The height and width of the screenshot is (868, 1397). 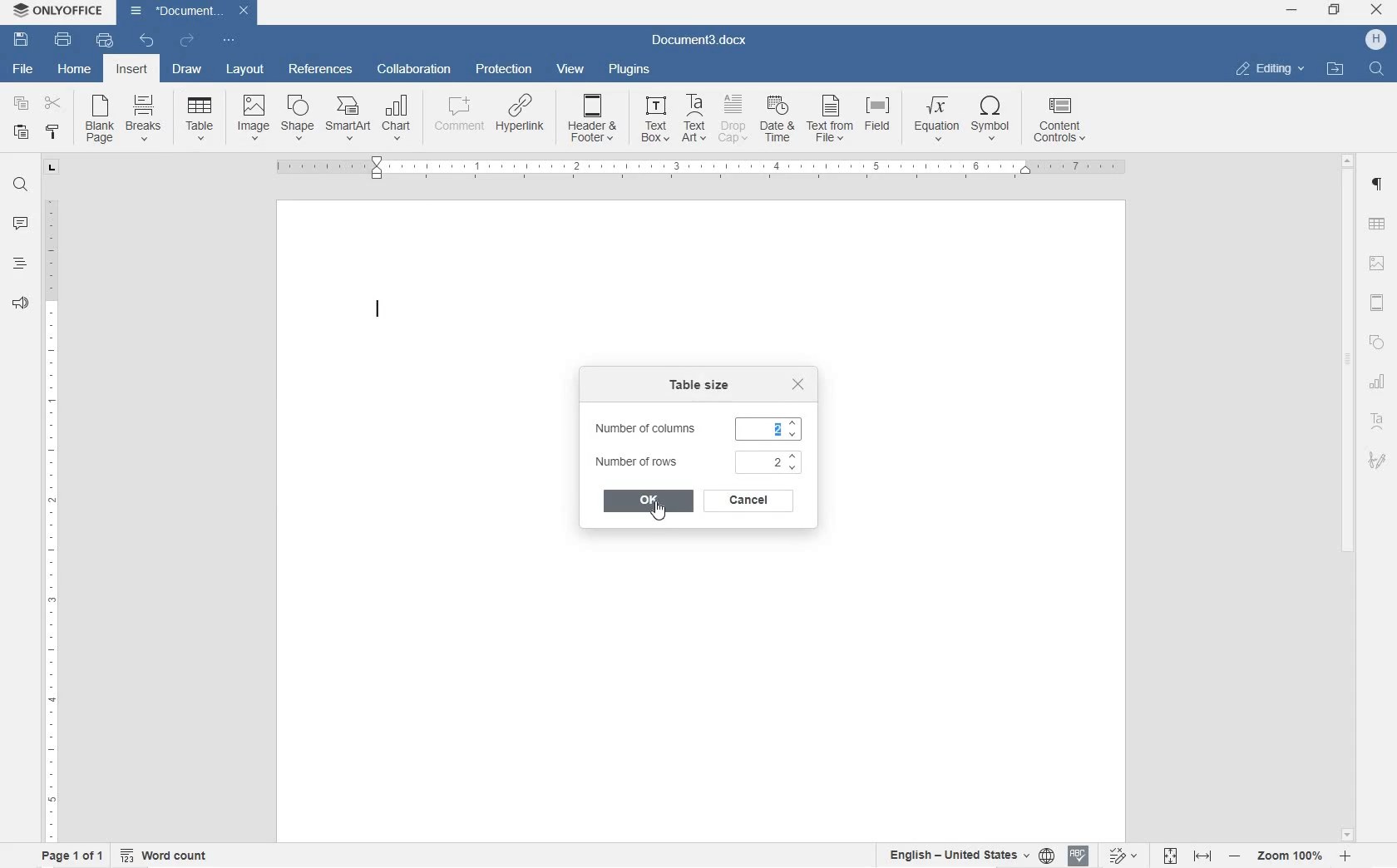 What do you see at coordinates (700, 38) in the screenshot?
I see `Document3.docx` at bounding box center [700, 38].